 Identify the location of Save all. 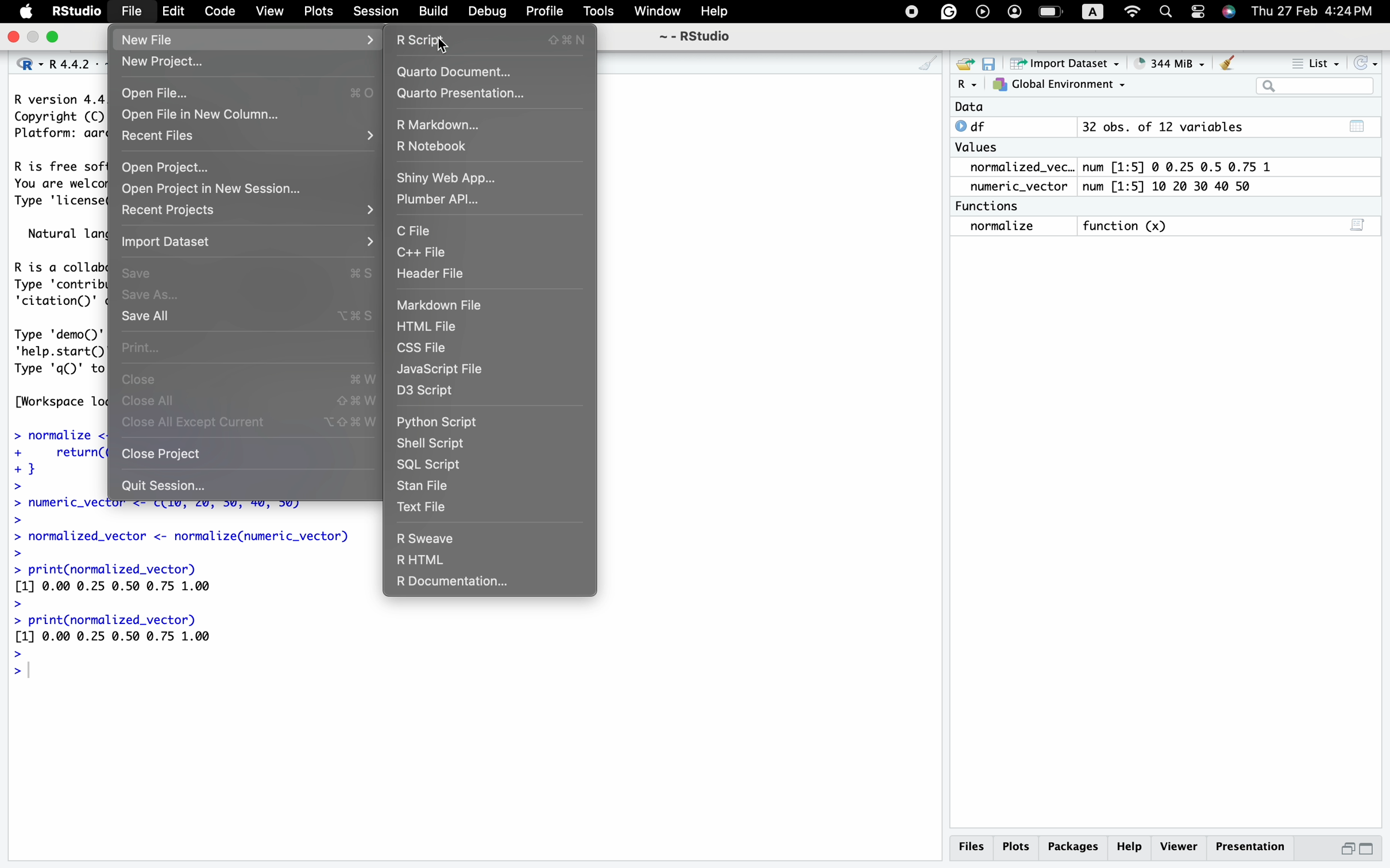
(147, 318).